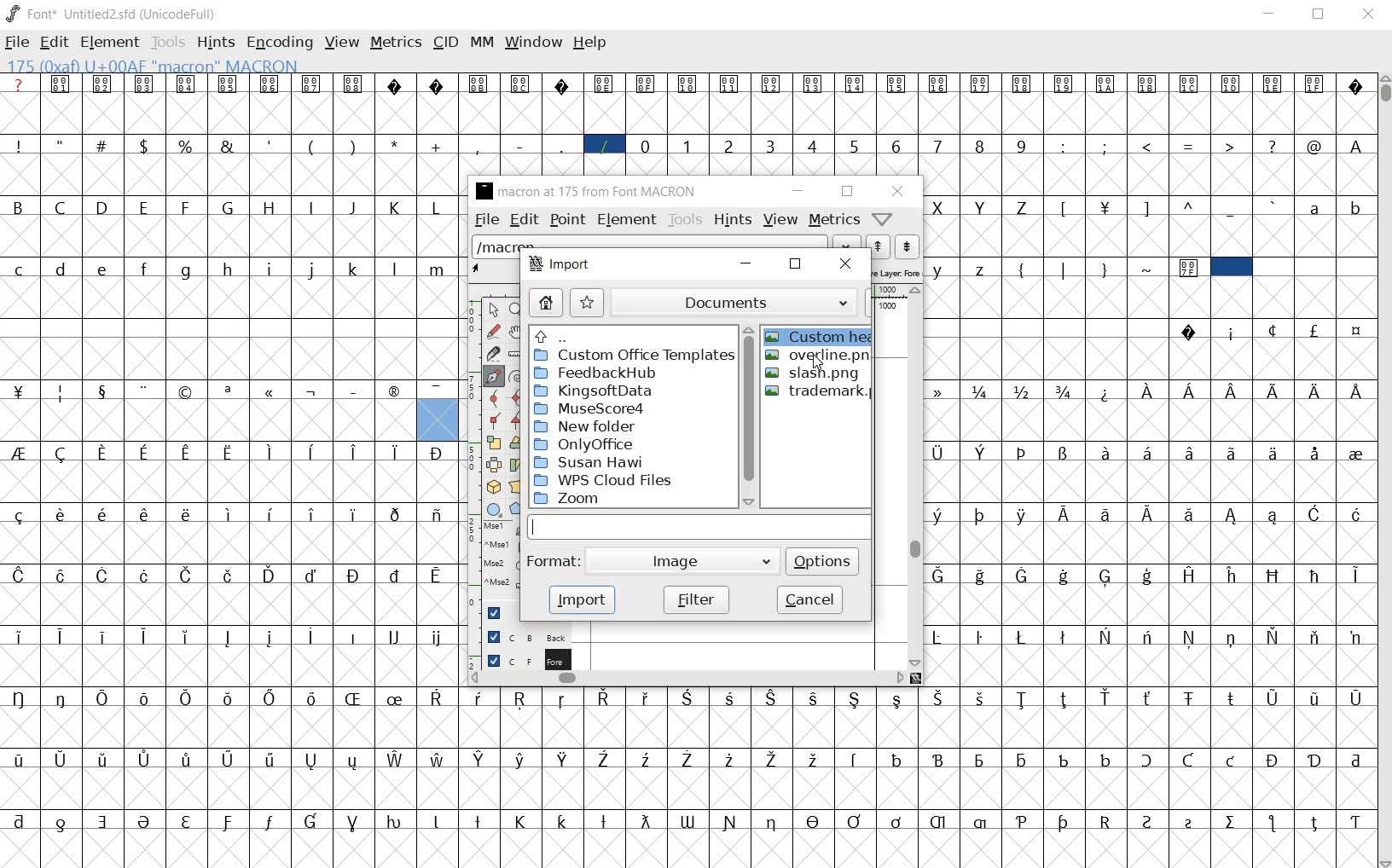 The image size is (1392, 868). What do you see at coordinates (439, 819) in the screenshot?
I see `Symbol` at bounding box center [439, 819].